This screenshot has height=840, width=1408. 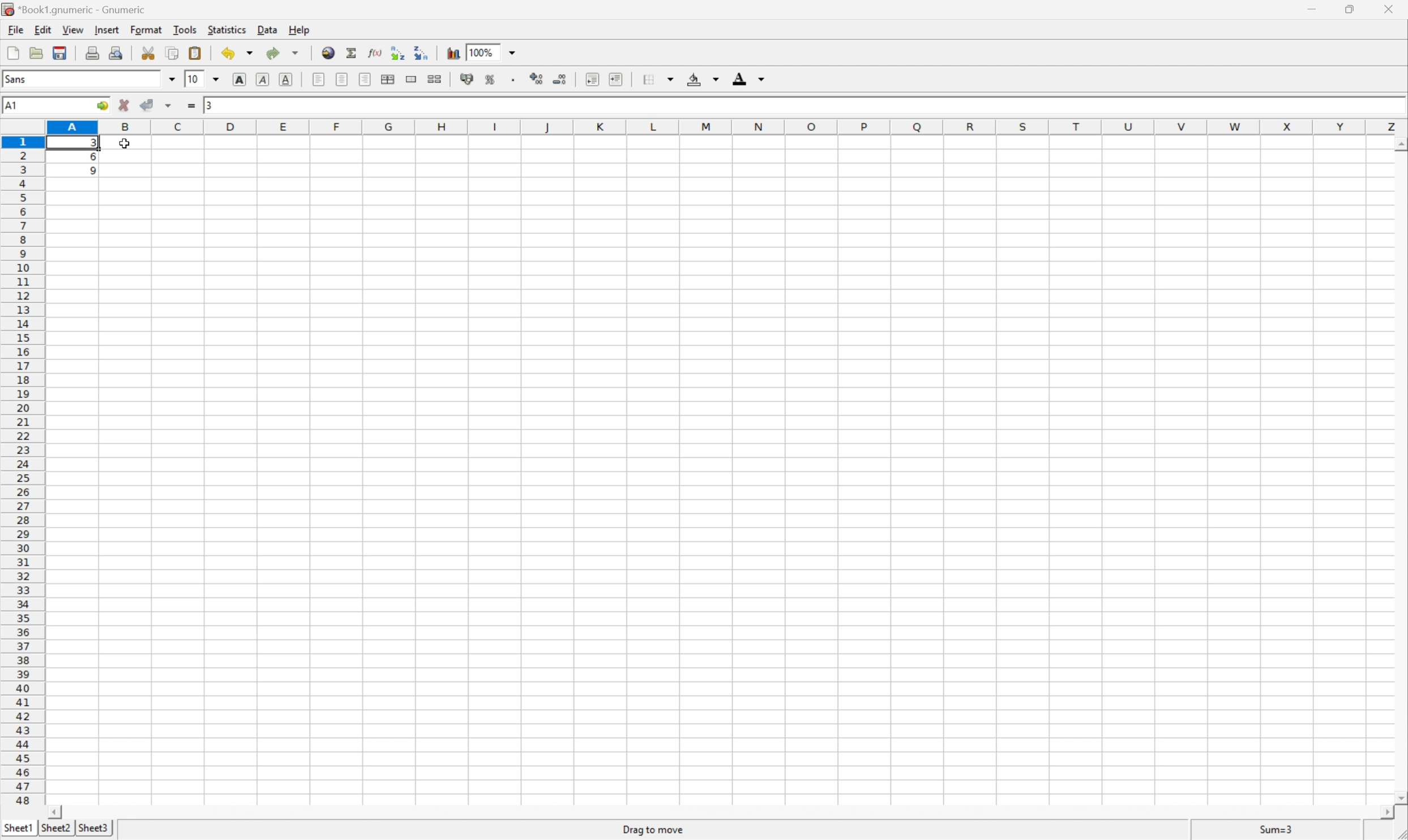 What do you see at coordinates (22, 470) in the screenshot?
I see `Row numbers` at bounding box center [22, 470].